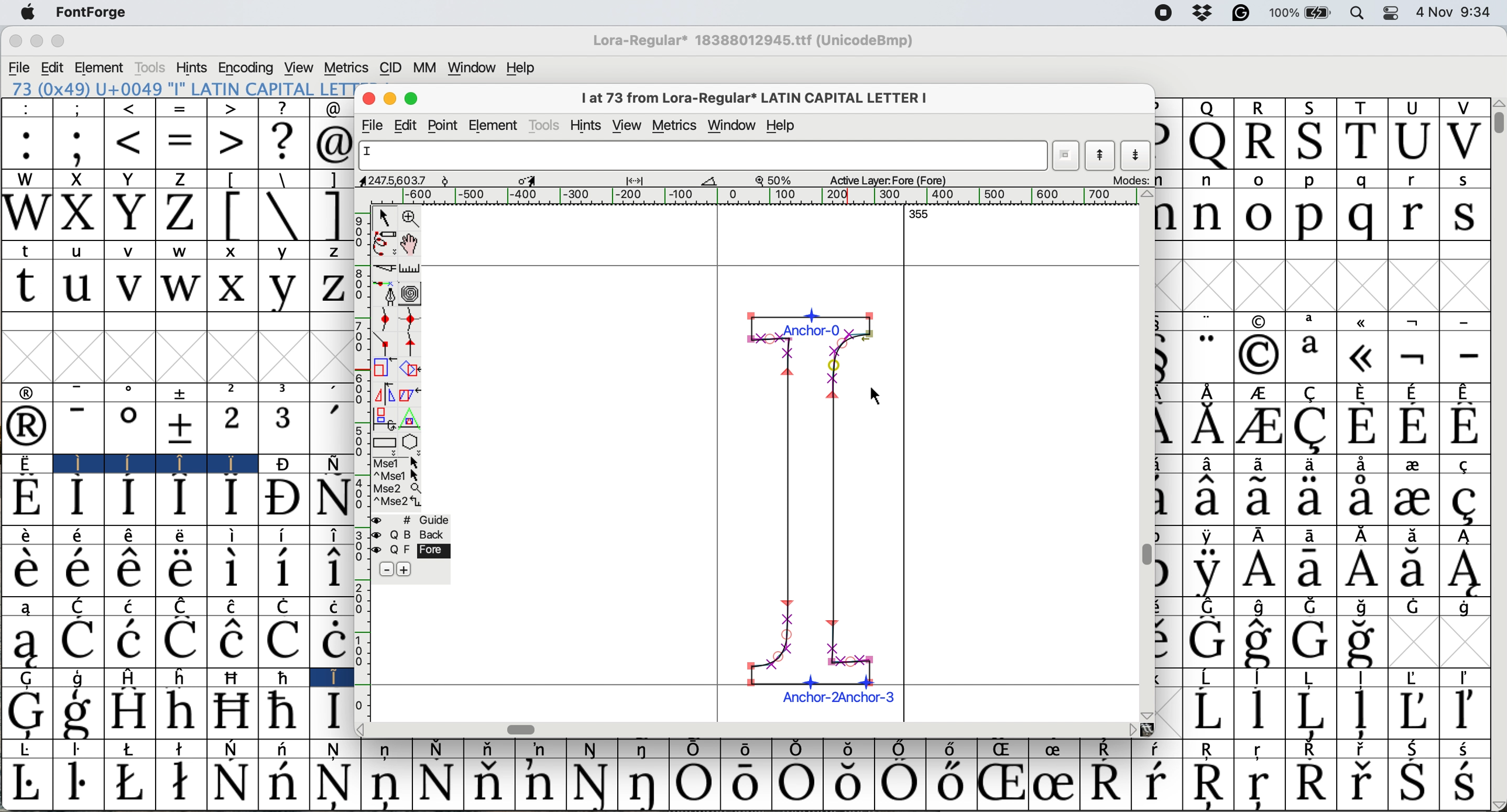  Describe the element at coordinates (1467, 748) in the screenshot. I see `Symbol` at that location.